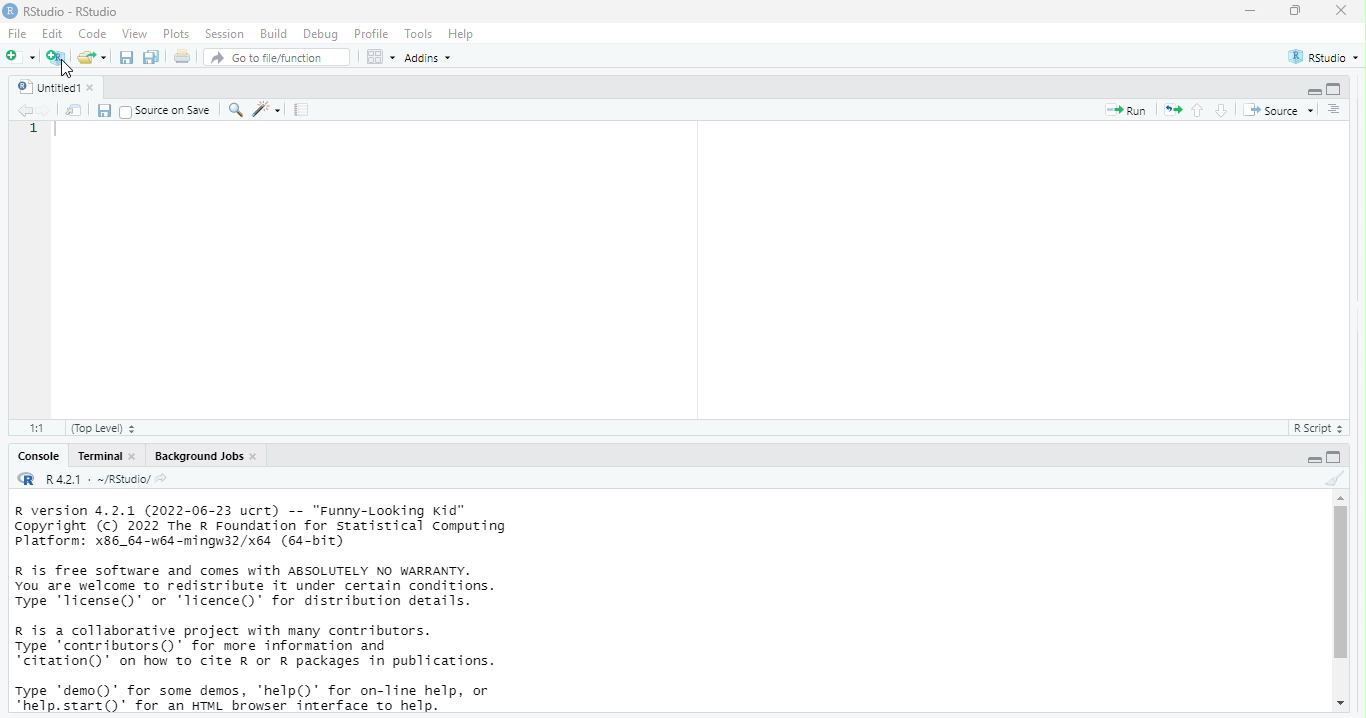 The height and width of the screenshot is (718, 1366). I want to click on create a project, so click(57, 56).